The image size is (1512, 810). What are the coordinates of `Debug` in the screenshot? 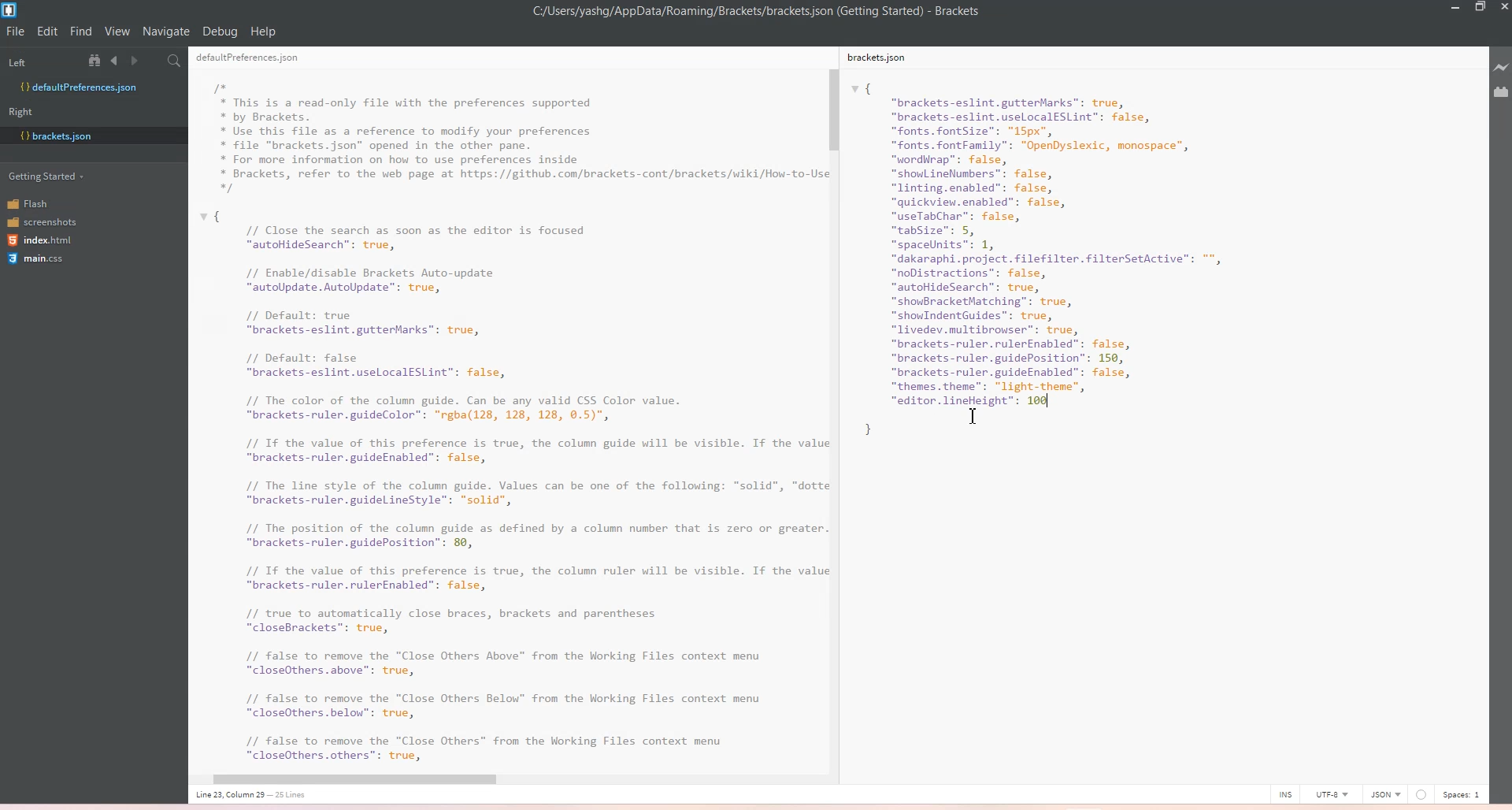 It's located at (220, 32).